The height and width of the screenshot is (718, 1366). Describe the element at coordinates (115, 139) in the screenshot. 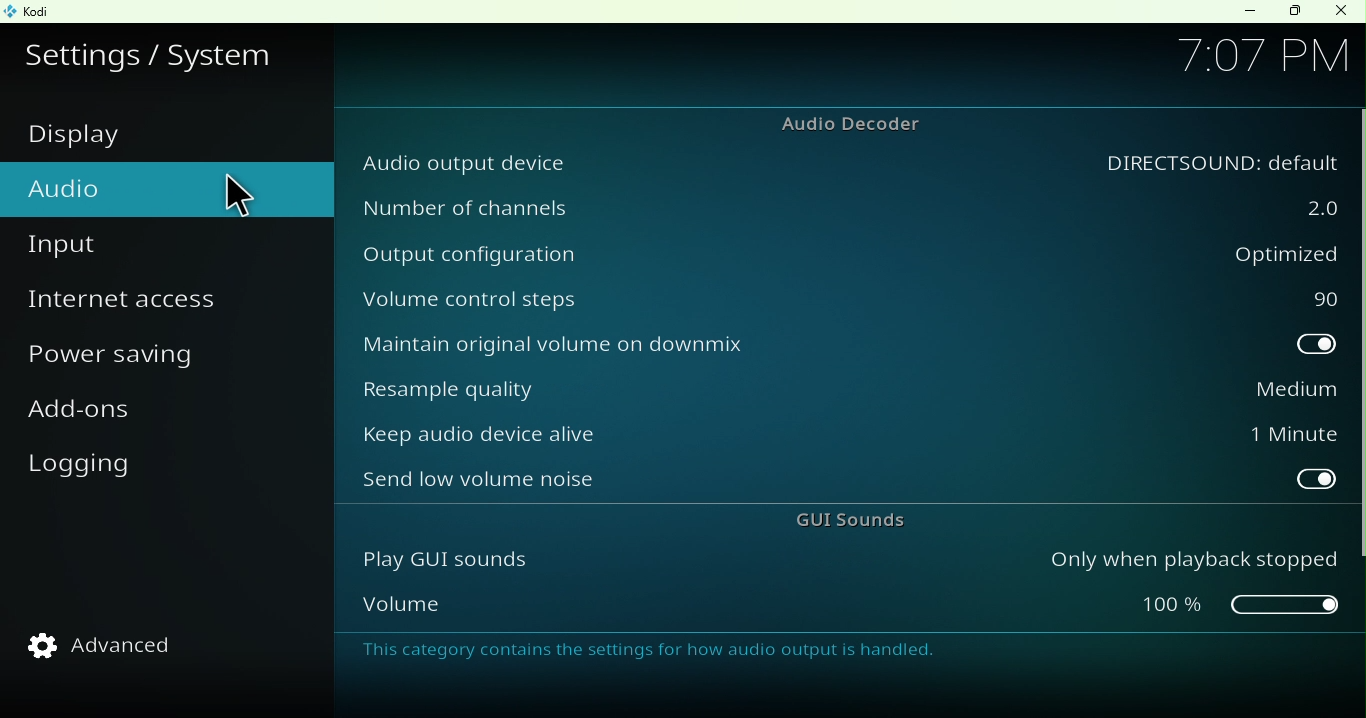

I see `Display` at that location.